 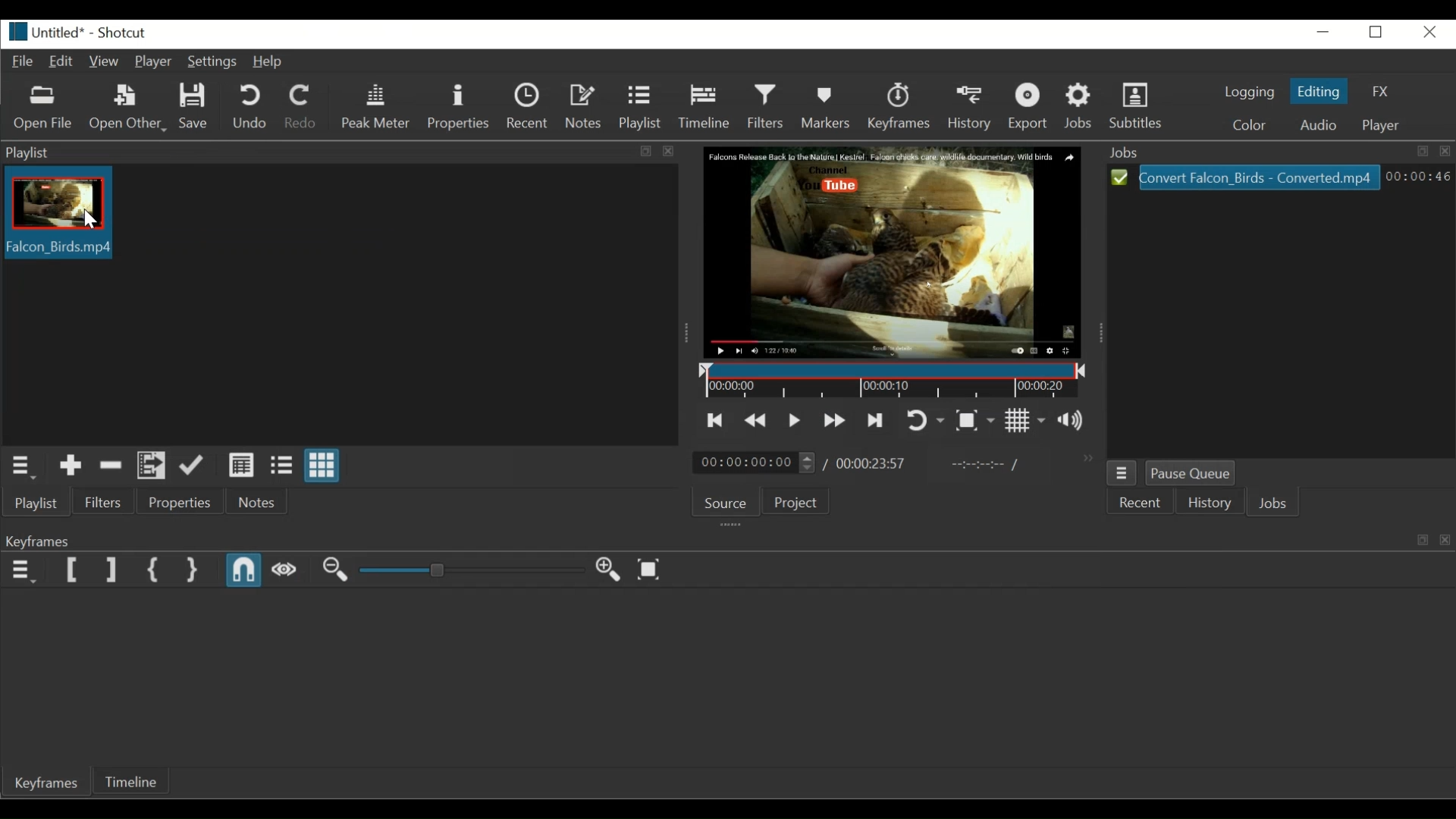 I want to click on View as details, so click(x=242, y=467).